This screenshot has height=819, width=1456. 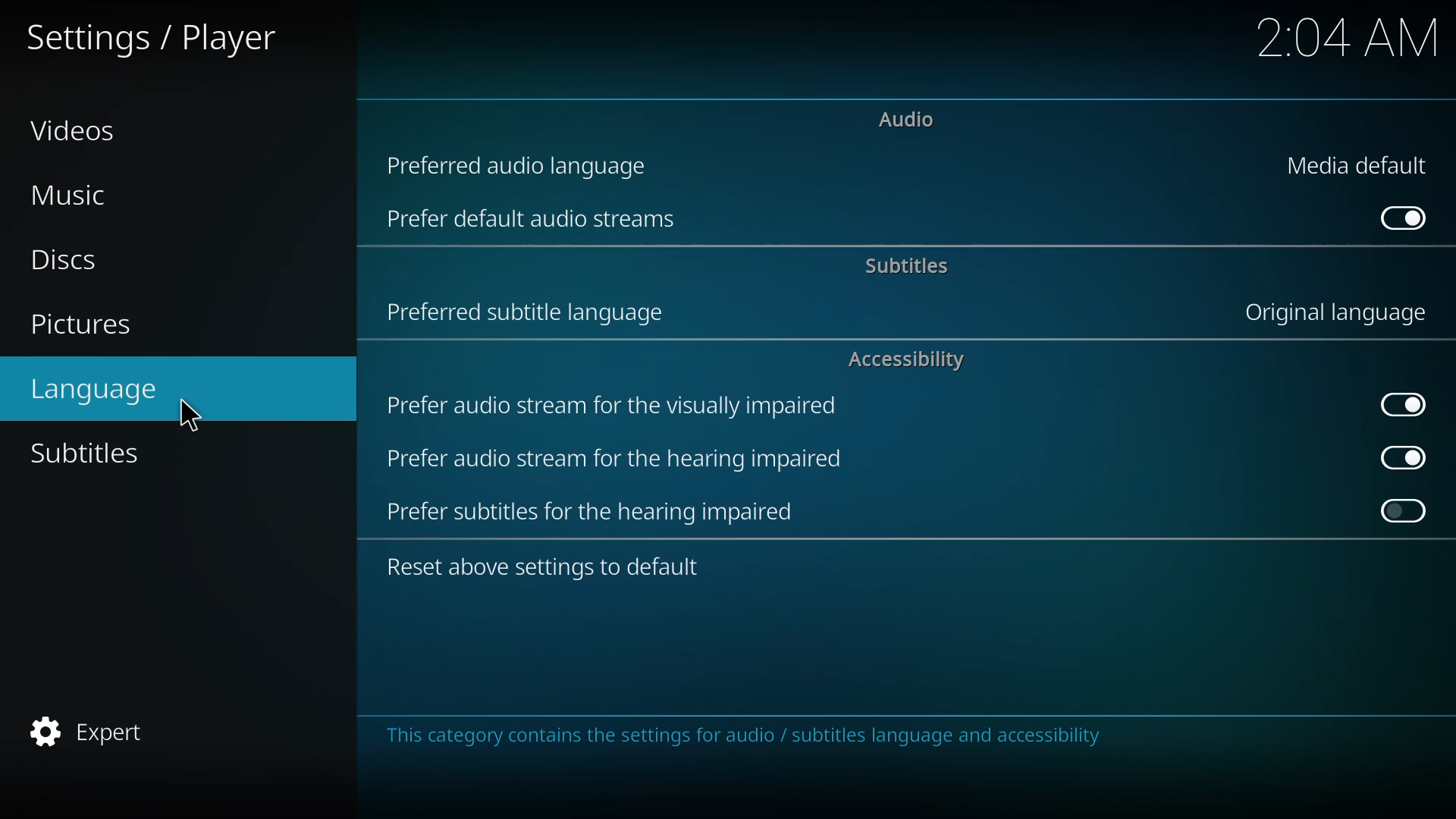 What do you see at coordinates (529, 309) in the screenshot?
I see `preferred subtitle language` at bounding box center [529, 309].